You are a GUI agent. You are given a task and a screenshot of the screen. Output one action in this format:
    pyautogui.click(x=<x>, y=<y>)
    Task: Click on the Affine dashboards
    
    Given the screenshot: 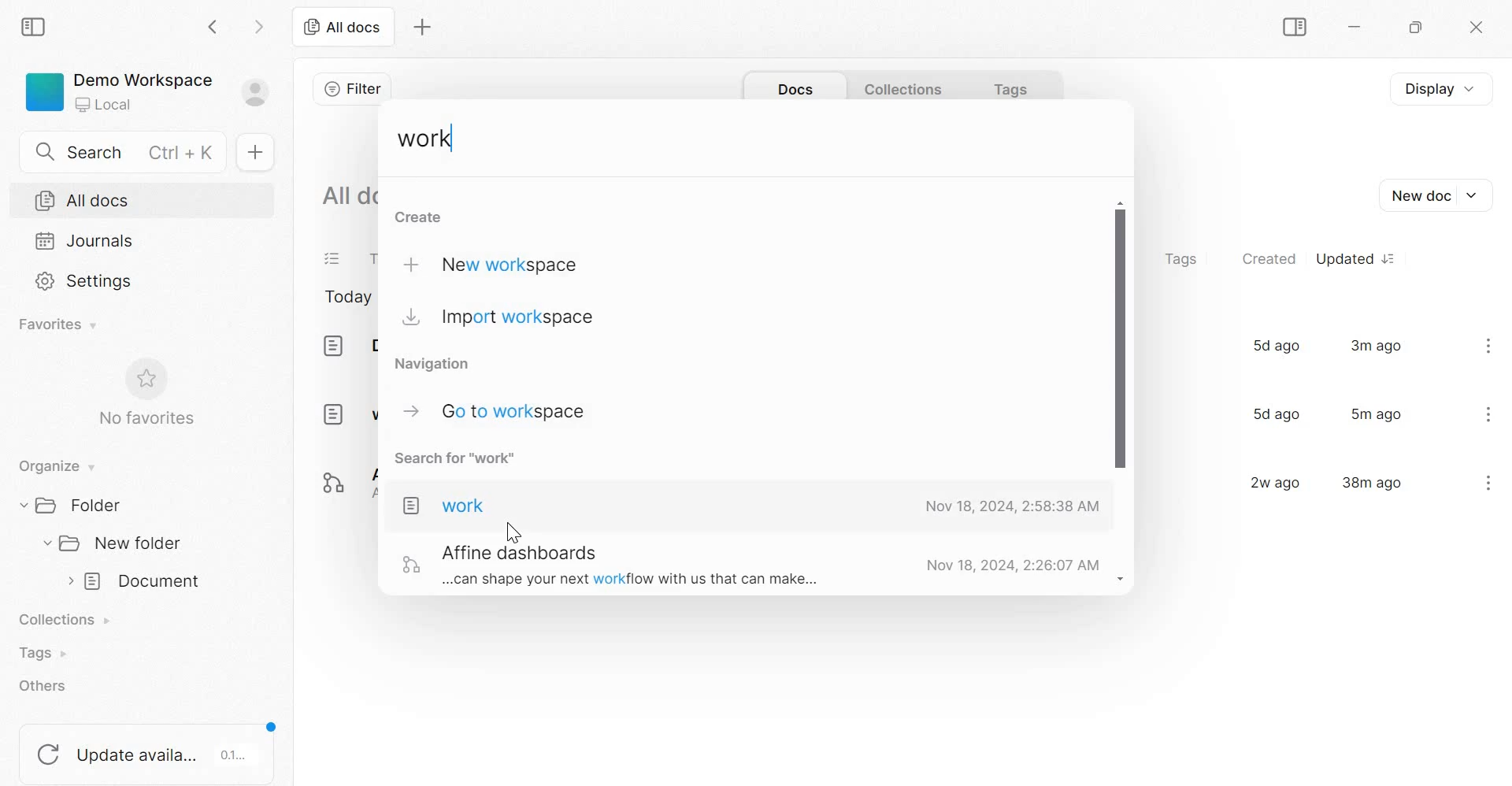 What is the action you would take?
    pyautogui.click(x=343, y=478)
    